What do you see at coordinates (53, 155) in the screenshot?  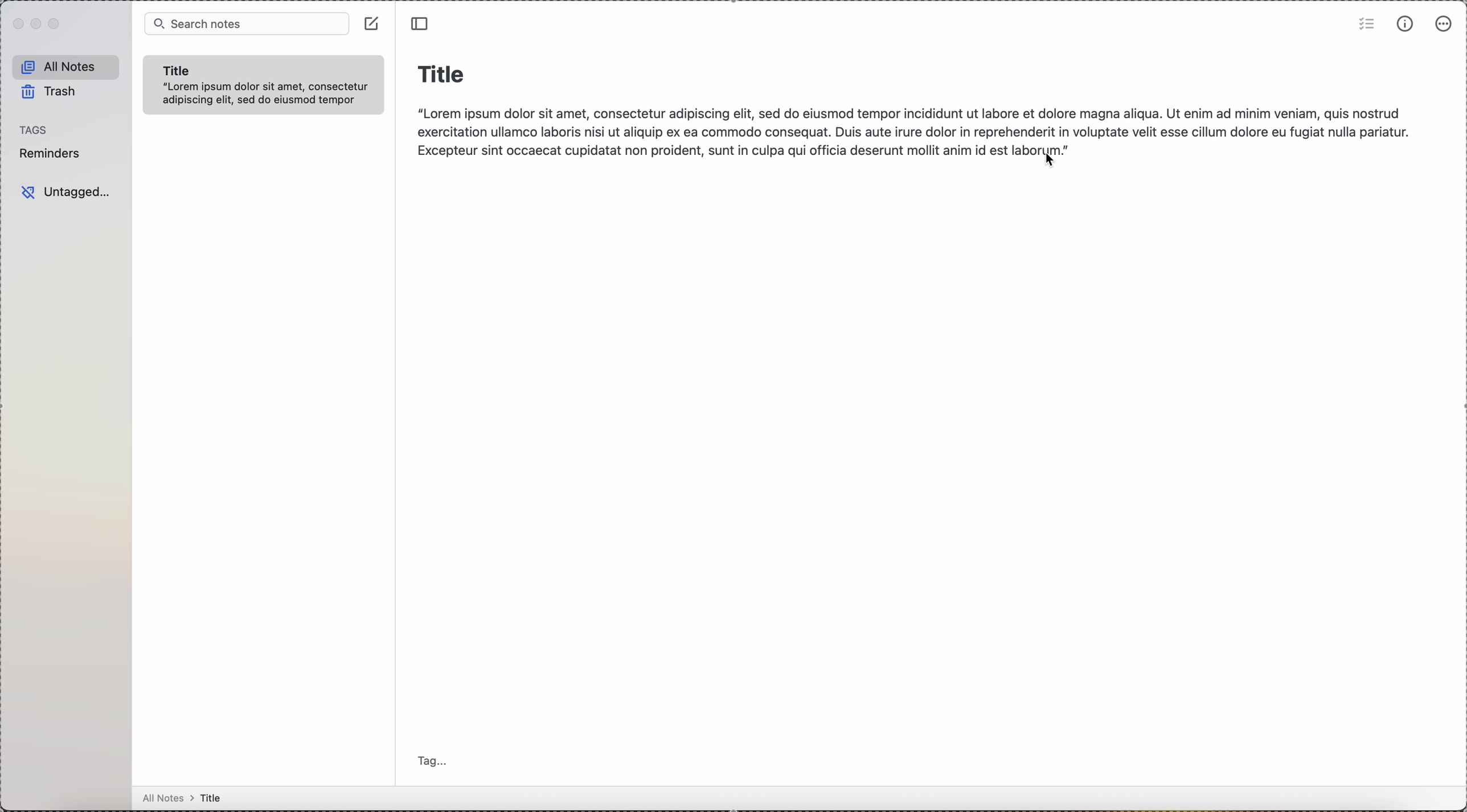 I see `reminders` at bounding box center [53, 155].